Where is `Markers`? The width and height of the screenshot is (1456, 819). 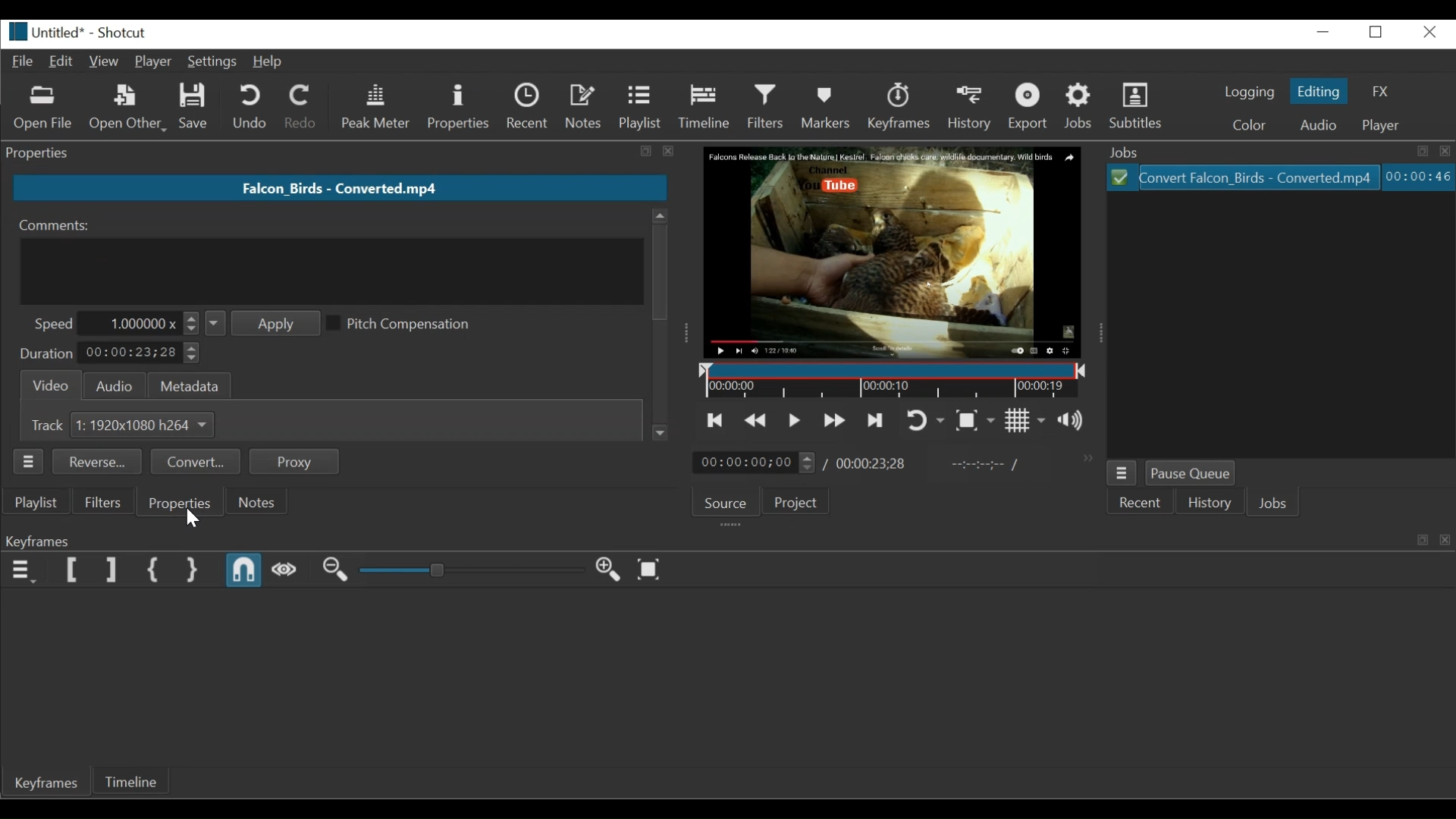 Markers is located at coordinates (830, 108).